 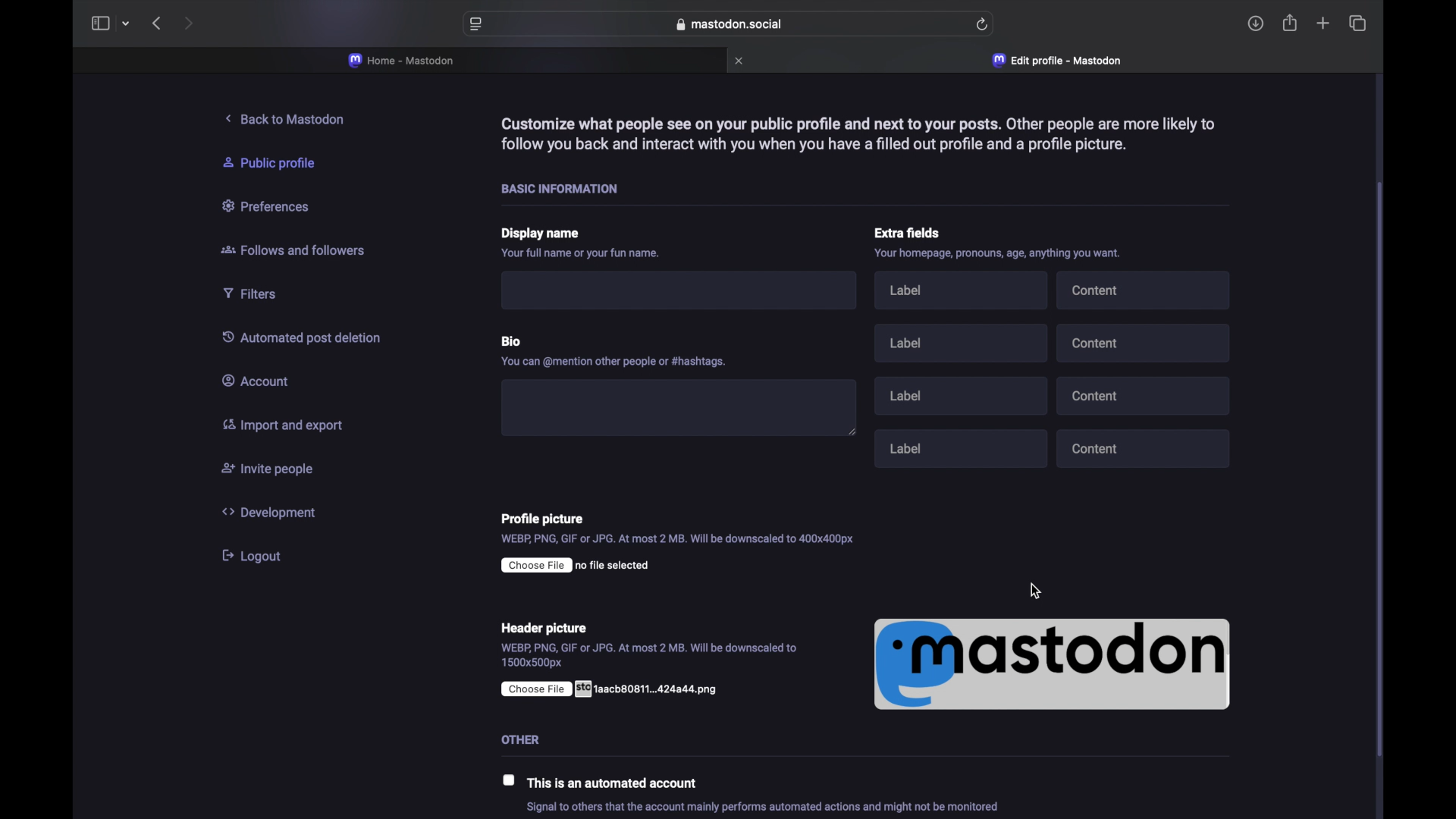 What do you see at coordinates (402, 61) in the screenshot?
I see `home - mastodon` at bounding box center [402, 61].